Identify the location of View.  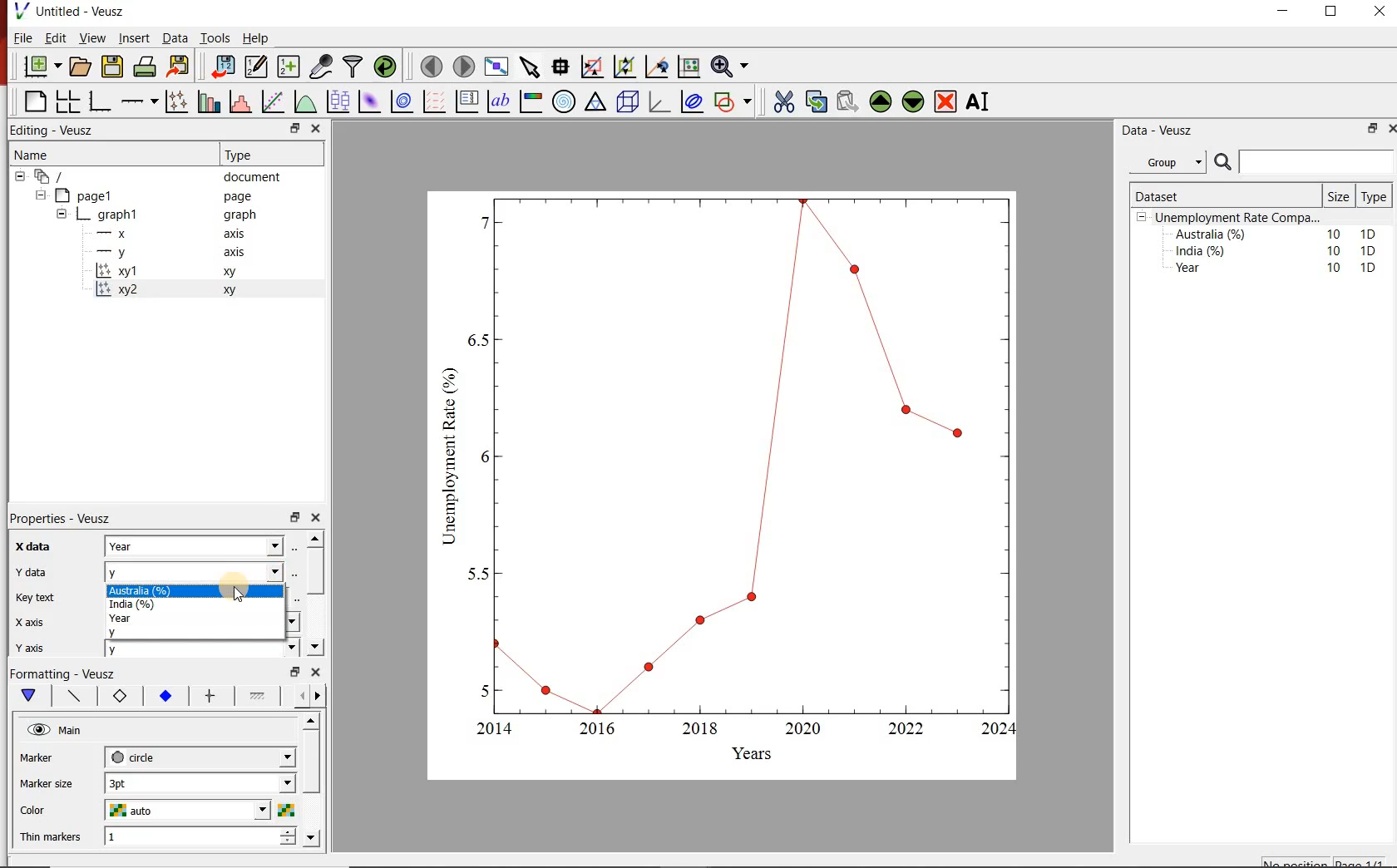
(91, 38).